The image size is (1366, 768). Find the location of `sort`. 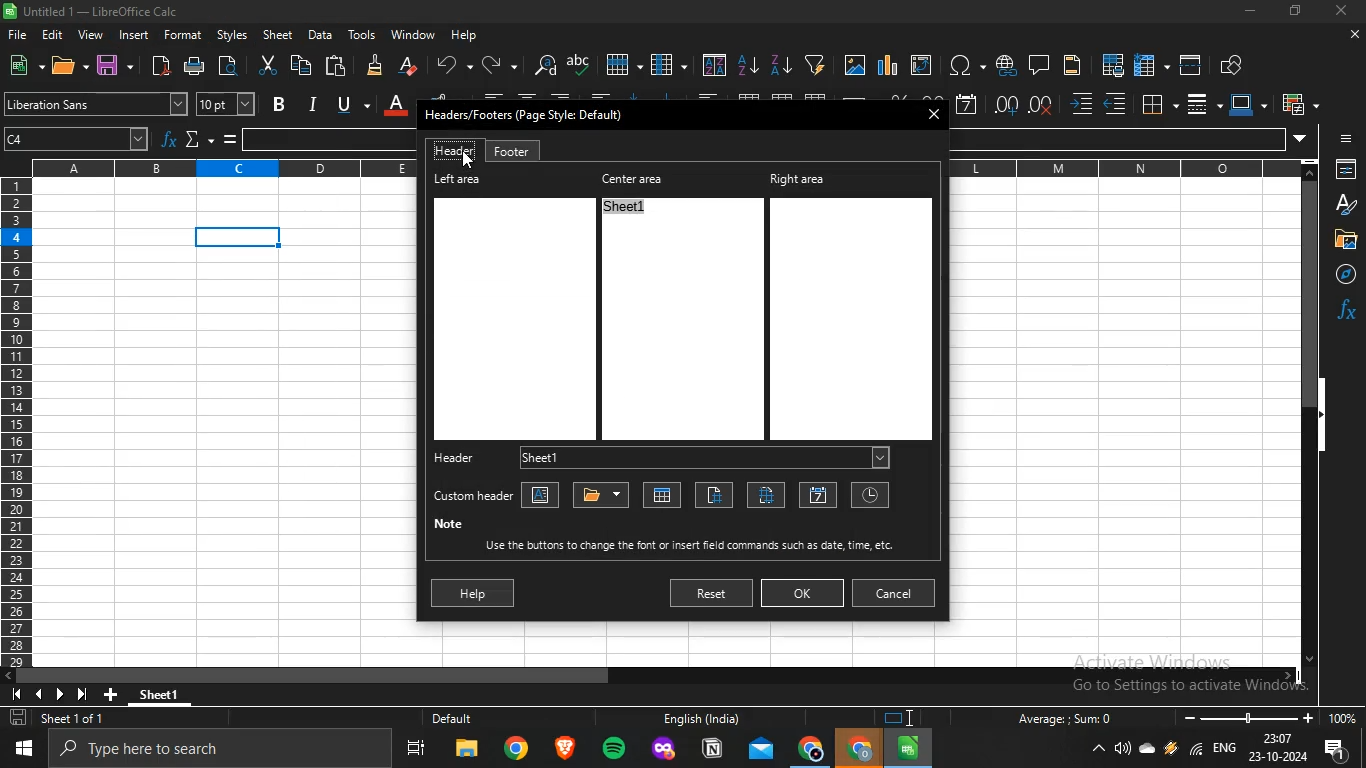

sort is located at coordinates (715, 65).